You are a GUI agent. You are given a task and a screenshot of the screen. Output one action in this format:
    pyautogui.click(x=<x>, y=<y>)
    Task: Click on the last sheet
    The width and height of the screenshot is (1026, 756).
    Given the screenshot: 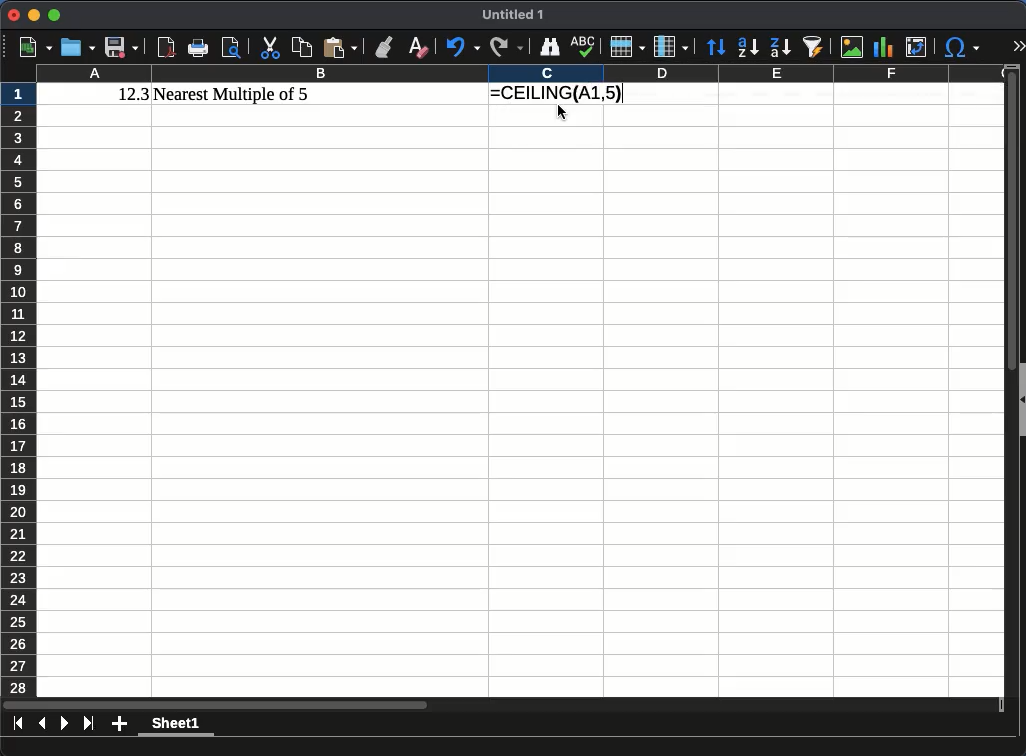 What is the action you would take?
    pyautogui.click(x=90, y=724)
    